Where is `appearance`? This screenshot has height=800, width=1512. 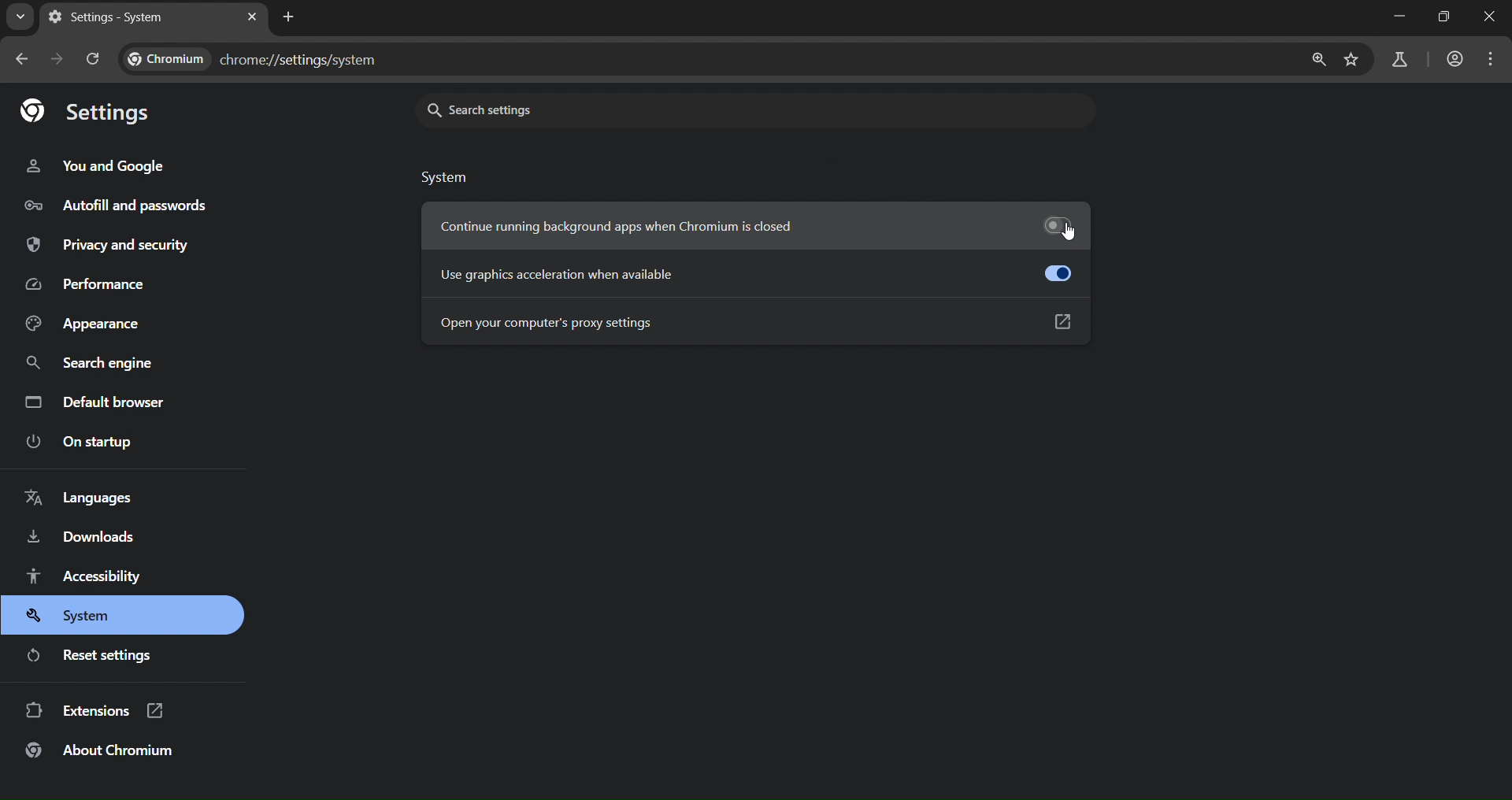 appearance is located at coordinates (88, 320).